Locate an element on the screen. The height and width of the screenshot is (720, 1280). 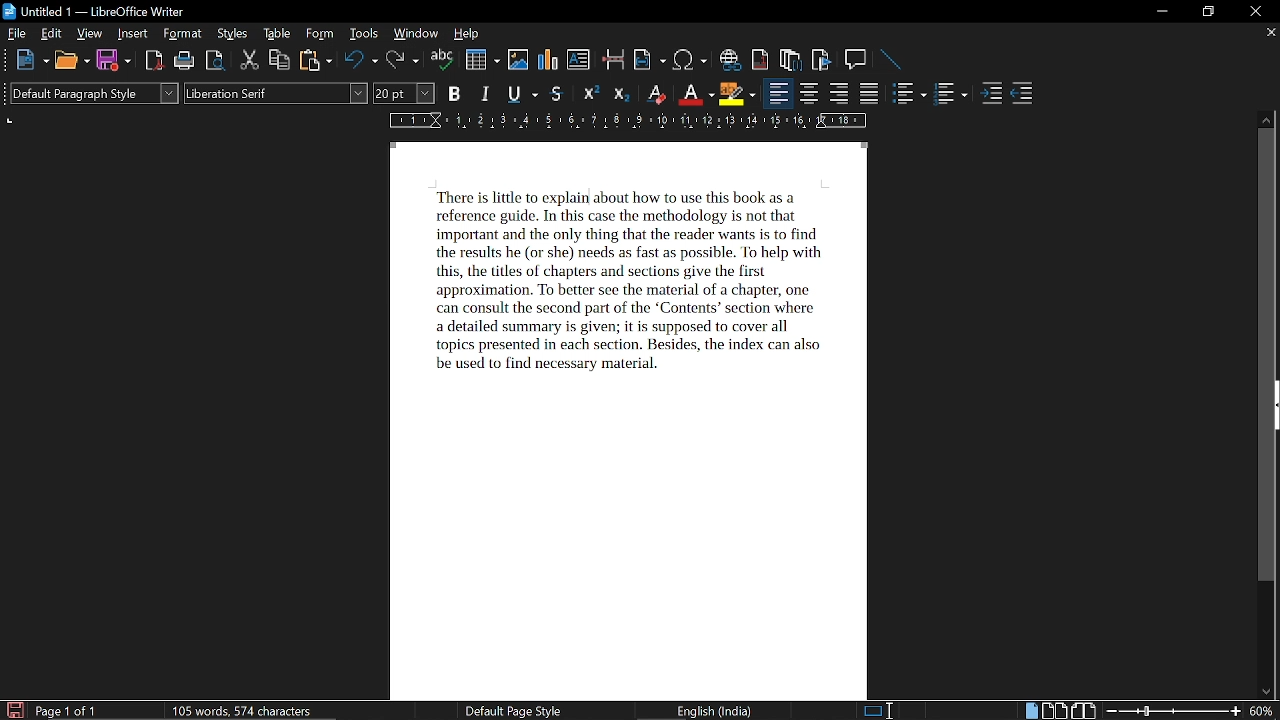
align left is located at coordinates (776, 93).